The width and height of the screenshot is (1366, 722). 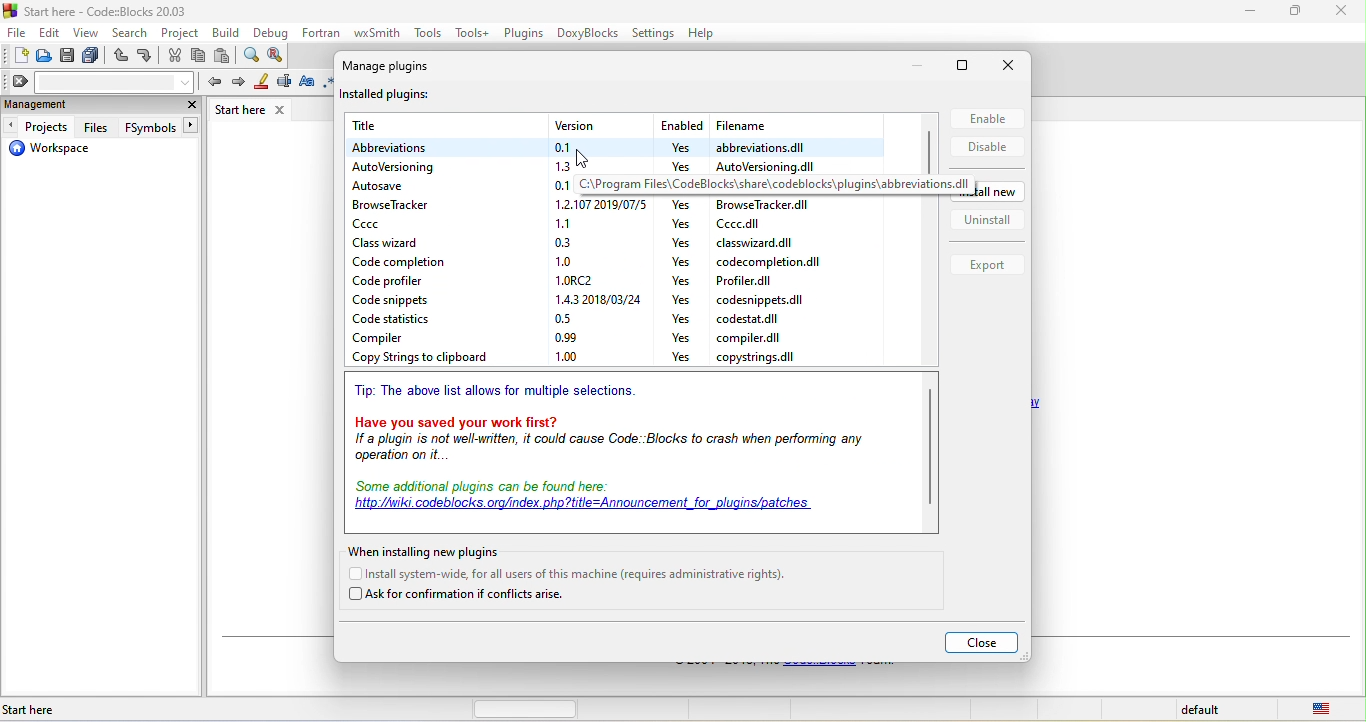 I want to click on disable, so click(x=987, y=151).